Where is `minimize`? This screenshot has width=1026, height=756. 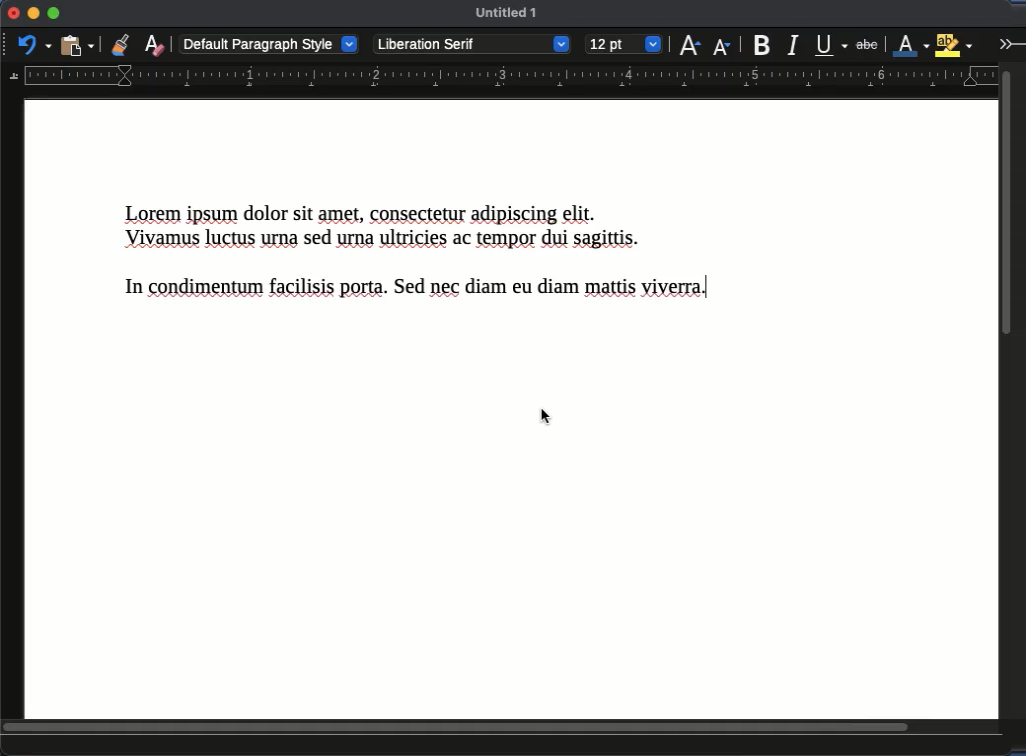 minimize is located at coordinates (33, 13).